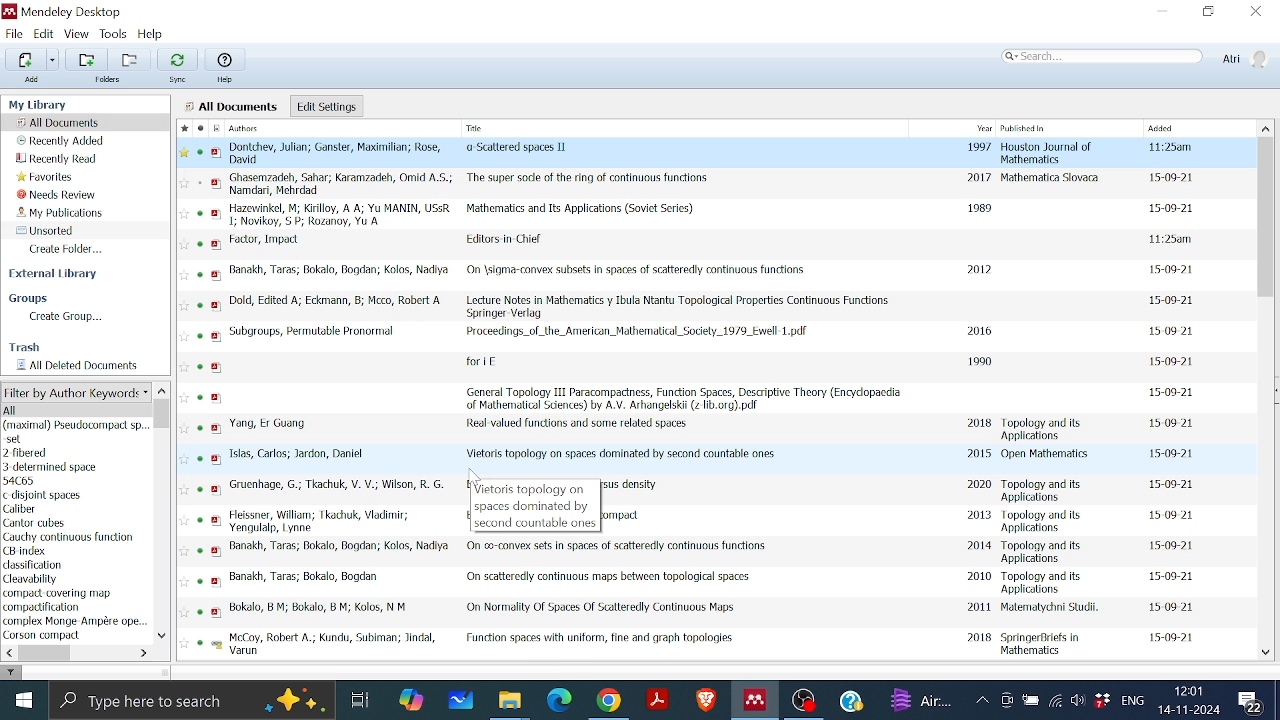  Describe the element at coordinates (43, 298) in the screenshot. I see `Groups` at that location.